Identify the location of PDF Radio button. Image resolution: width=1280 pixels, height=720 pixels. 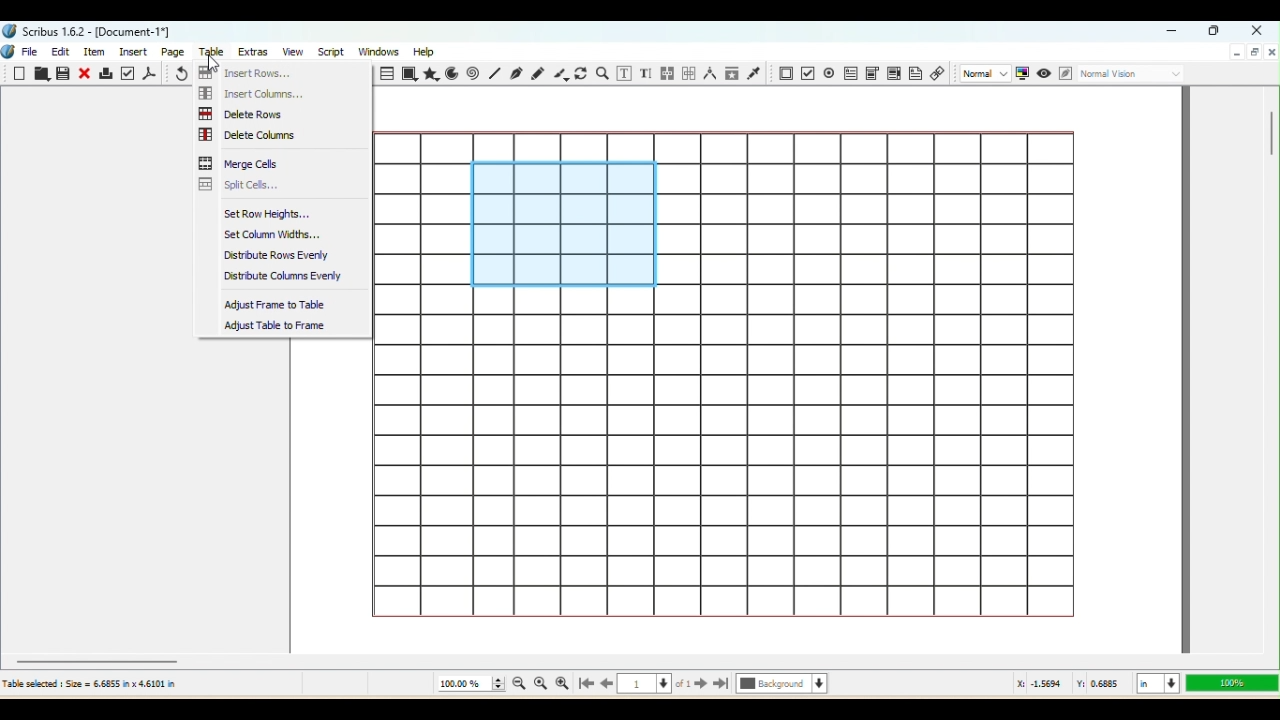
(807, 73).